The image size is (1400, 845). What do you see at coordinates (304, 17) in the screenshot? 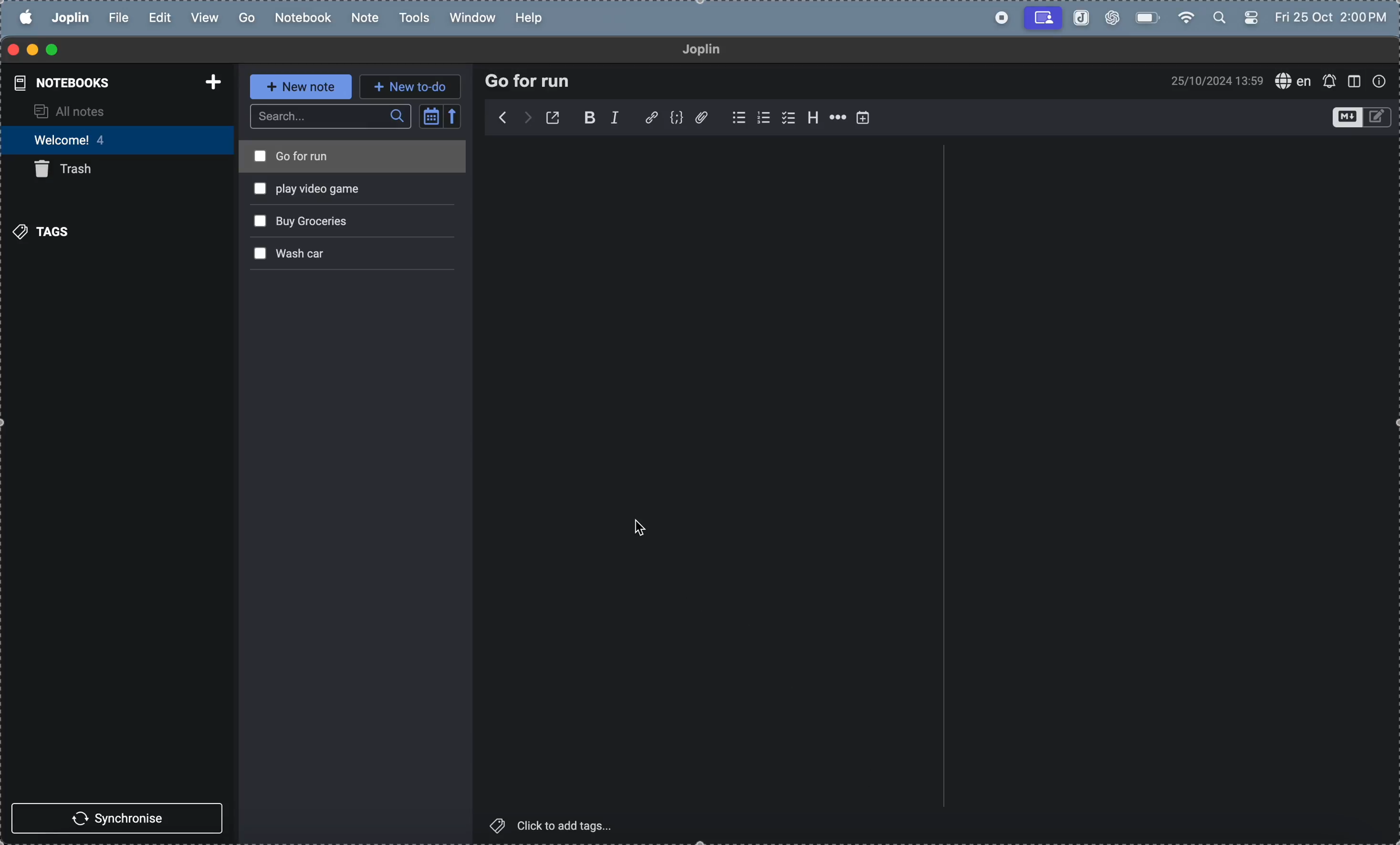
I see `notebook` at bounding box center [304, 17].